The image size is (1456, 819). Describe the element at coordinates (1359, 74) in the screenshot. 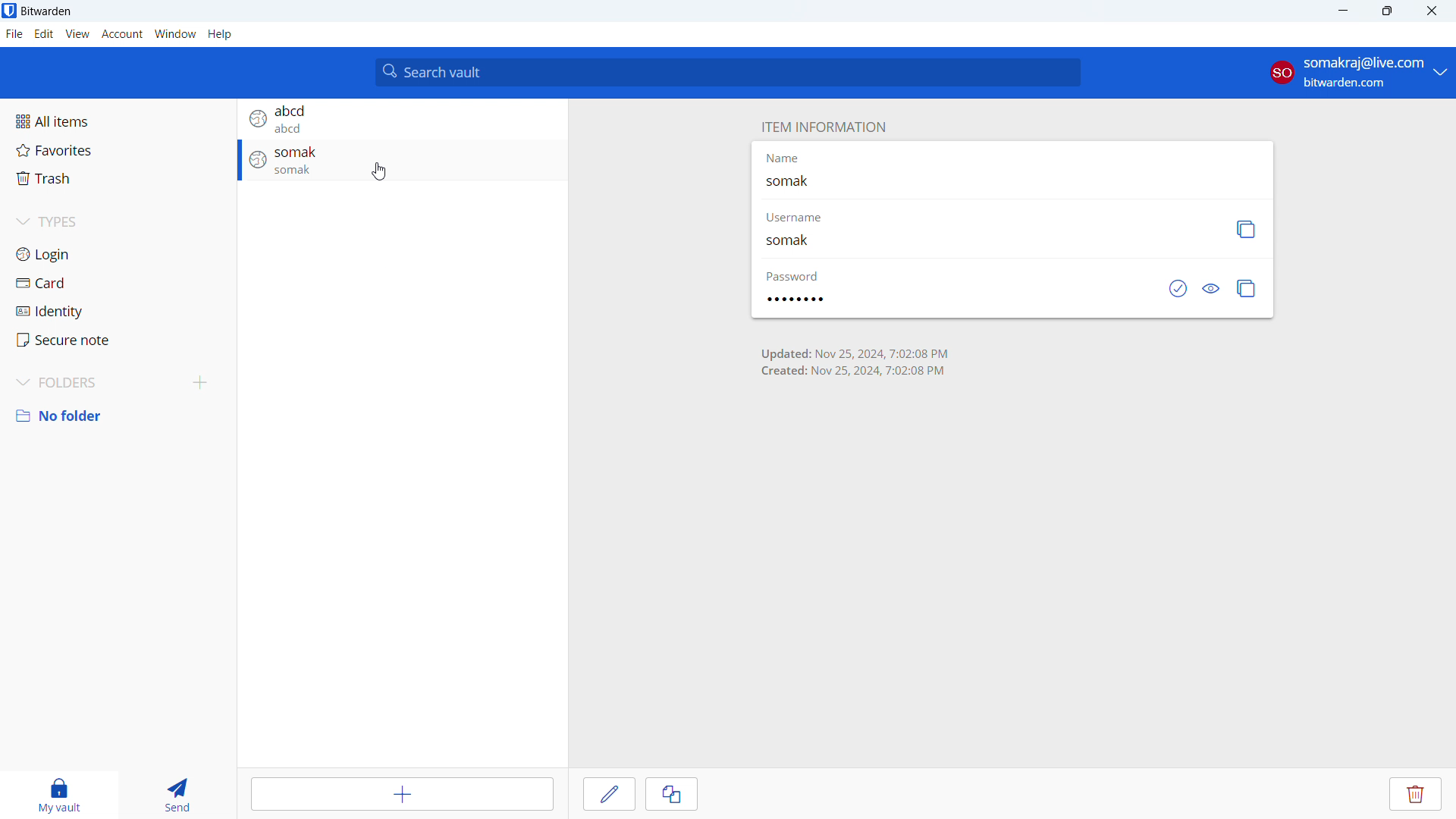

I see `account` at that location.